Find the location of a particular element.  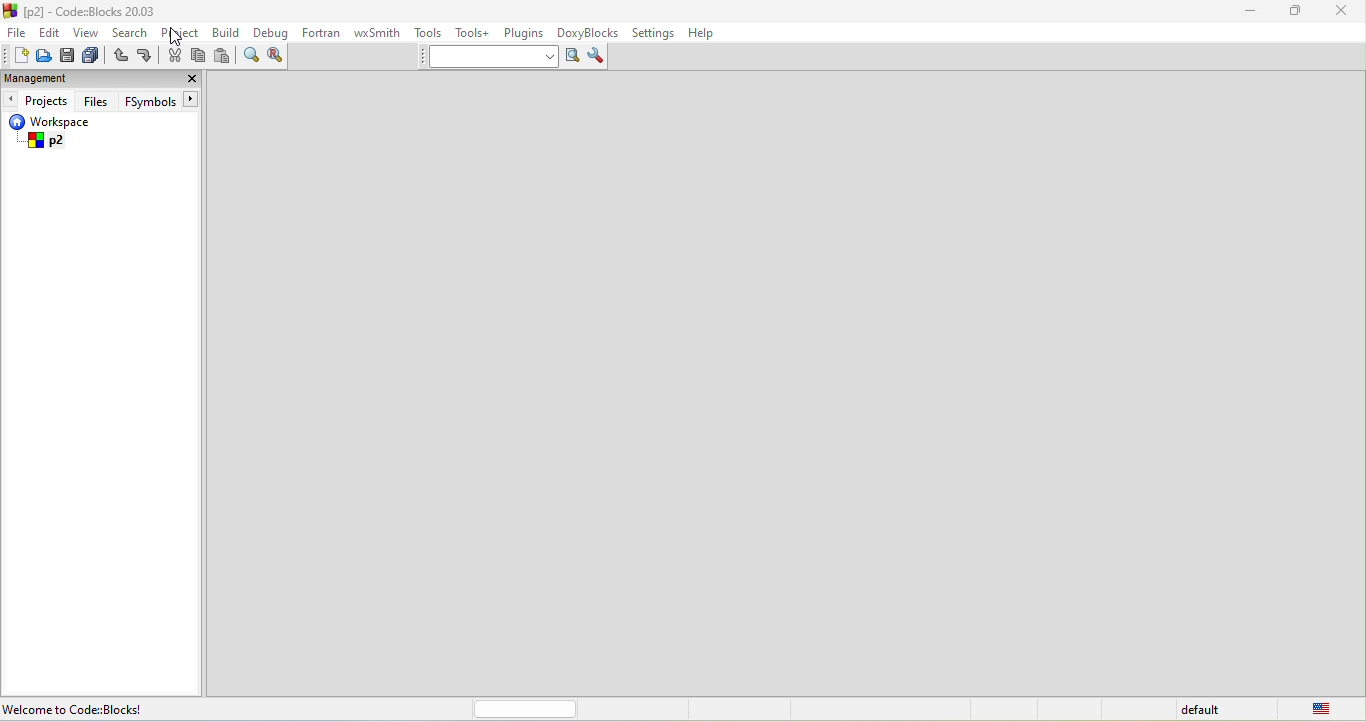

redo is located at coordinates (146, 57).